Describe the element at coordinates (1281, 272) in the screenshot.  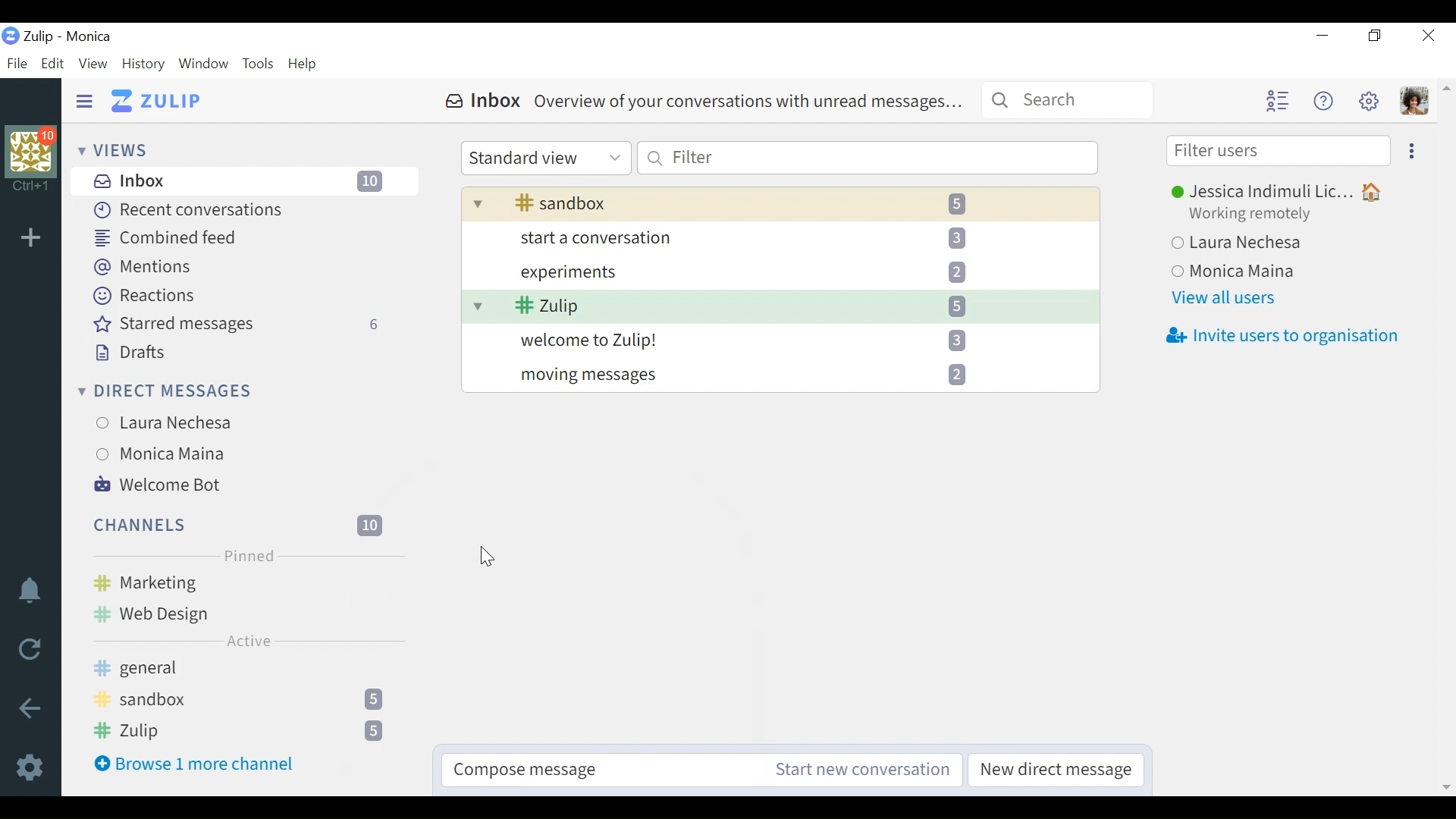
I see `Monica Maina` at that location.